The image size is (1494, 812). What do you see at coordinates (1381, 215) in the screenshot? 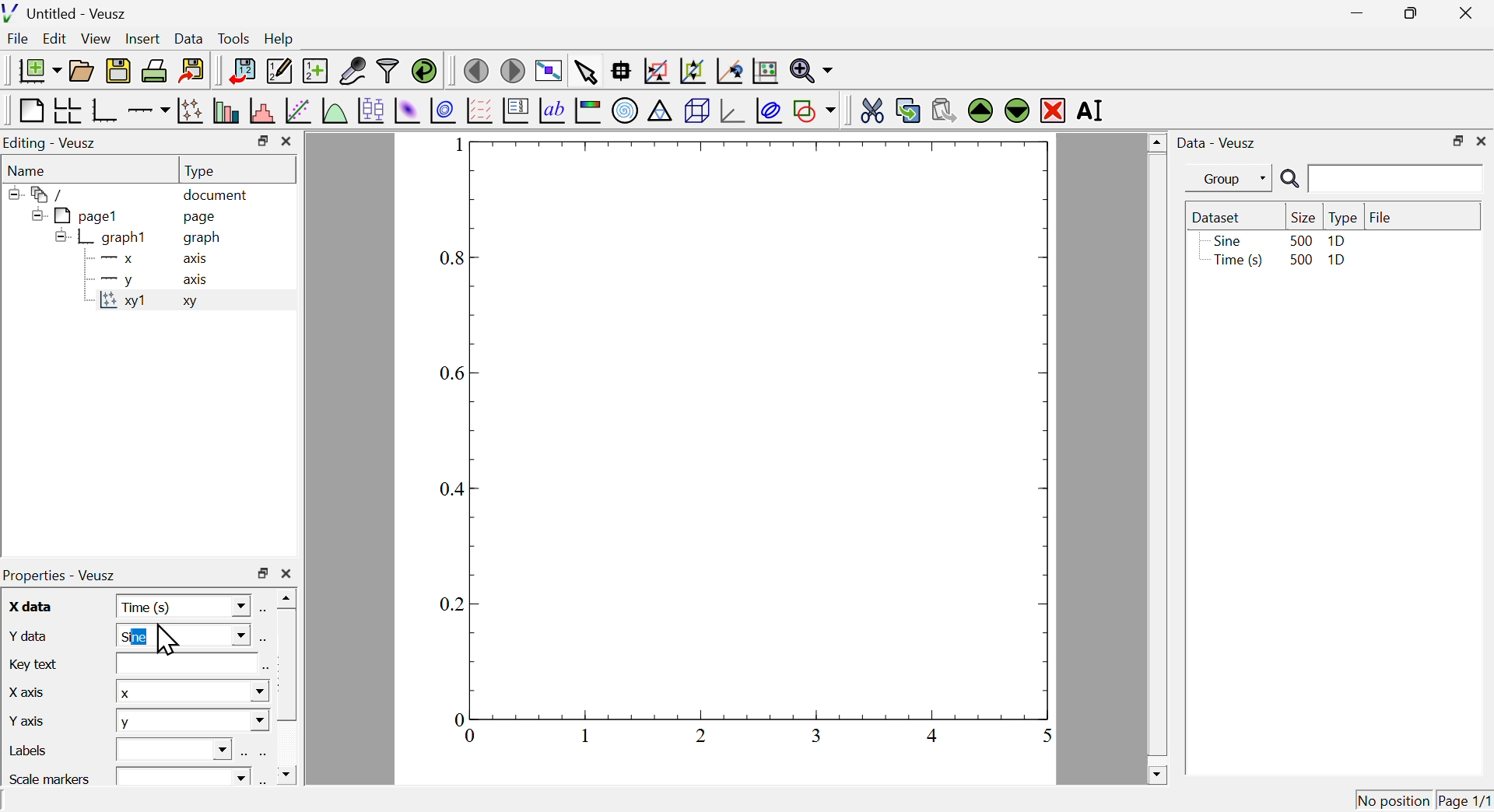
I see `file` at bounding box center [1381, 215].